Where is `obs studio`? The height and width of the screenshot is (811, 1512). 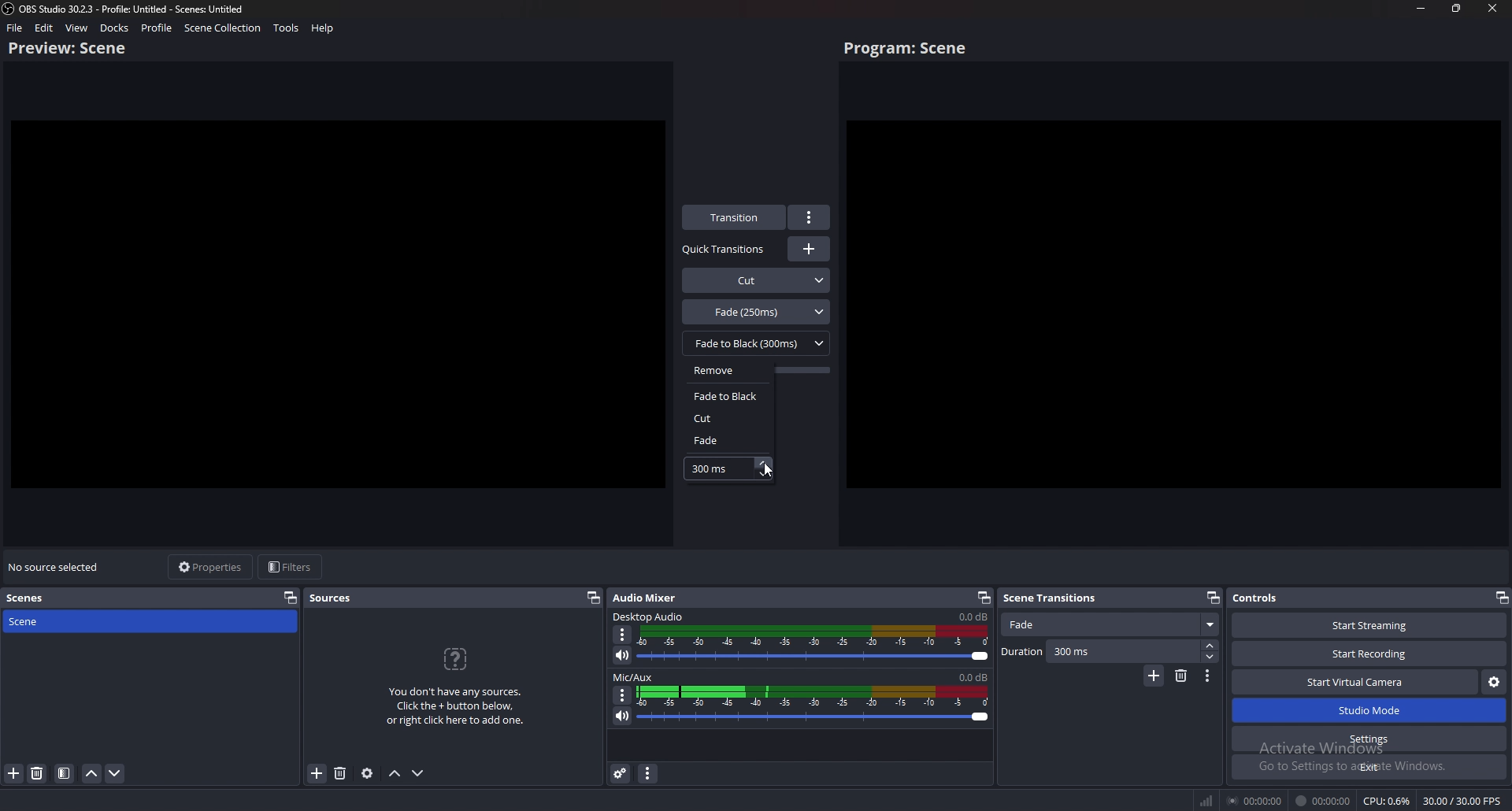
obs studio is located at coordinates (9, 9).